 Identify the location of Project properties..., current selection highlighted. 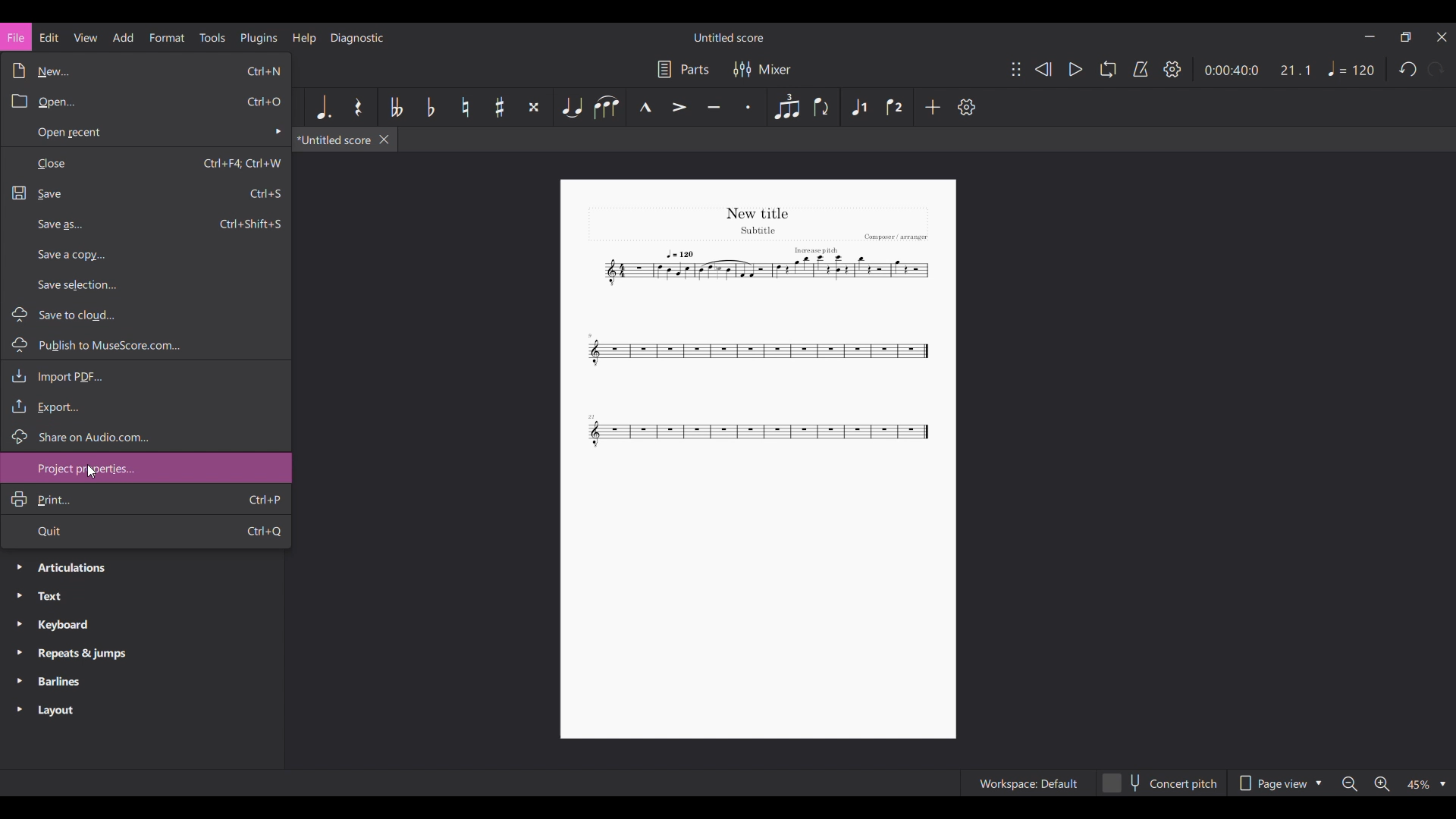
(146, 467).